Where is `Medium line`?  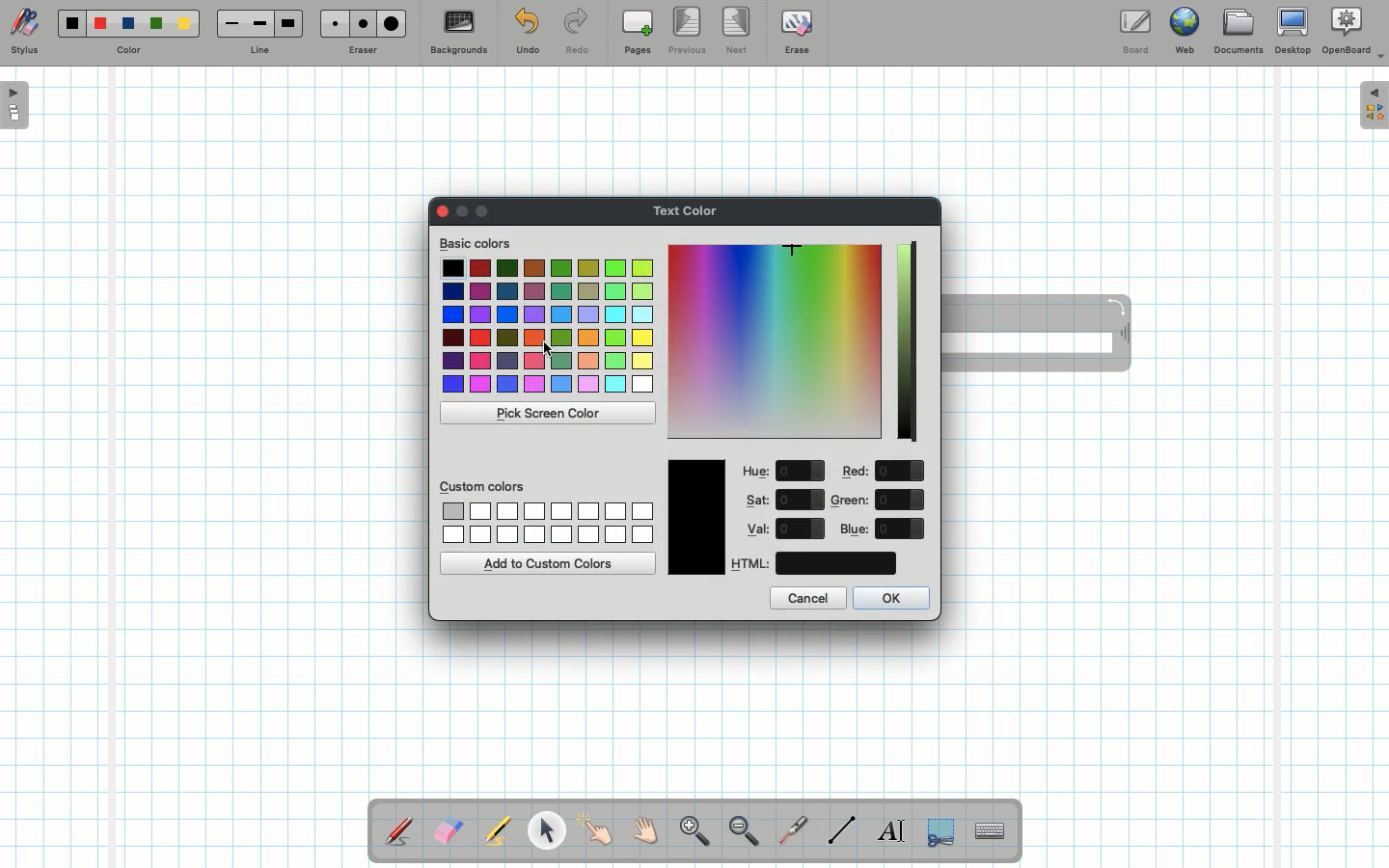
Medium line is located at coordinates (259, 23).